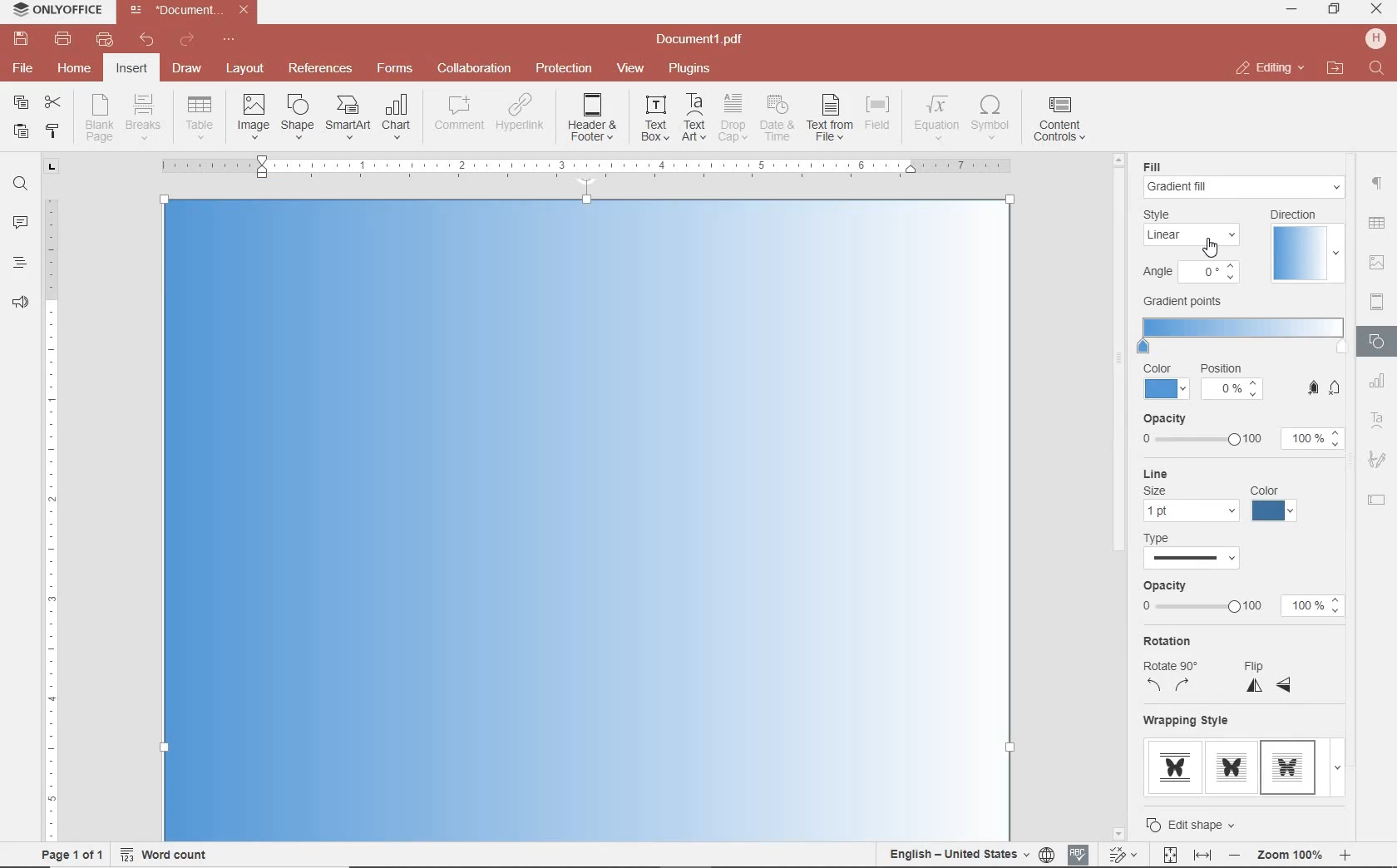 The width and height of the screenshot is (1397, 868). What do you see at coordinates (51, 130) in the screenshot?
I see `copy style` at bounding box center [51, 130].